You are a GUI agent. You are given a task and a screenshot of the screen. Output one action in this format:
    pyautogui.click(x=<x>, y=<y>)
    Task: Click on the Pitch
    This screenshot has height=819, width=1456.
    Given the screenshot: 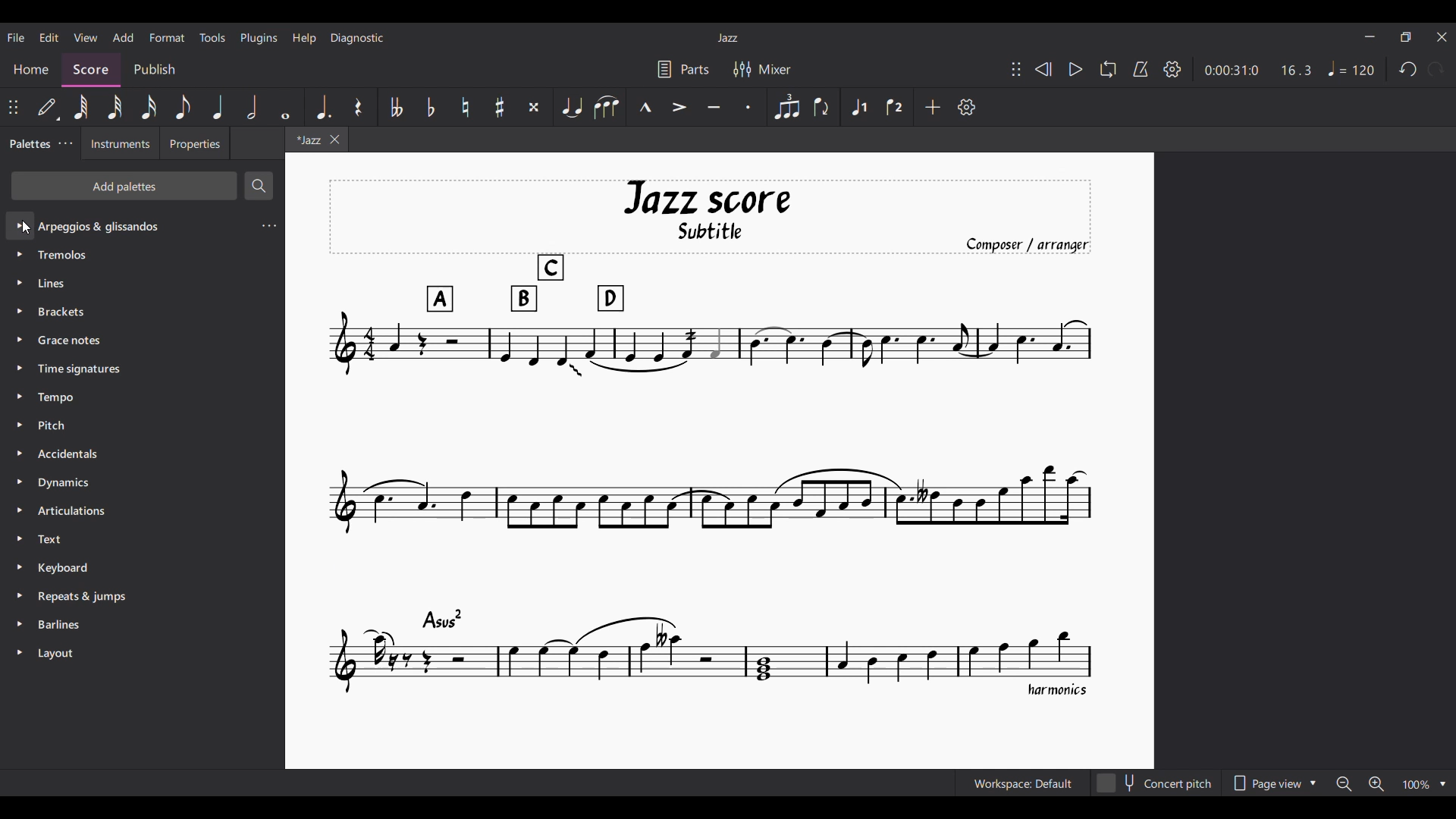 What is the action you would take?
    pyautogui.click(x=58, y=426)
    